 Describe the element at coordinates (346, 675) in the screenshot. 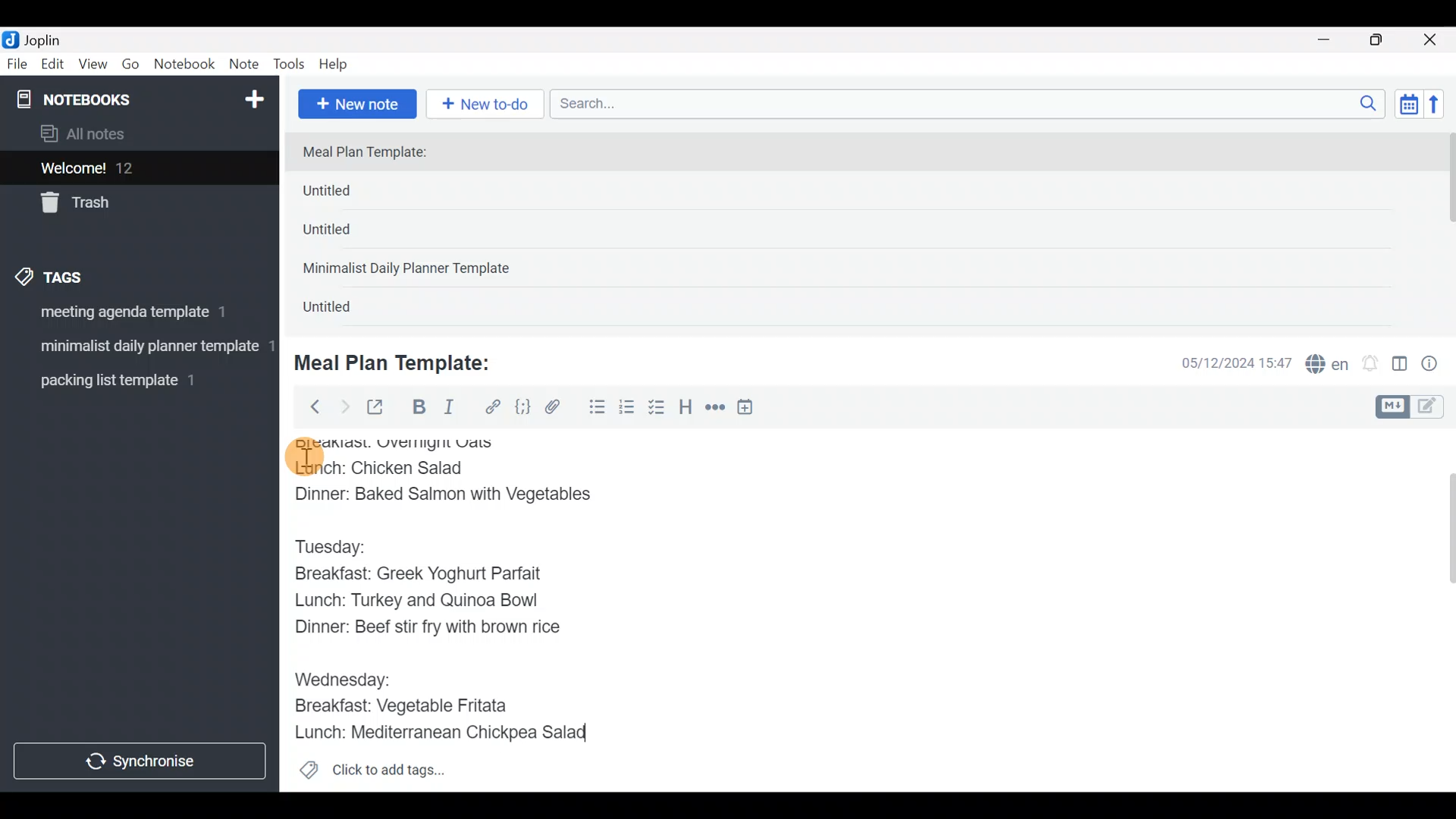

I see `Wednesday:` at that location.